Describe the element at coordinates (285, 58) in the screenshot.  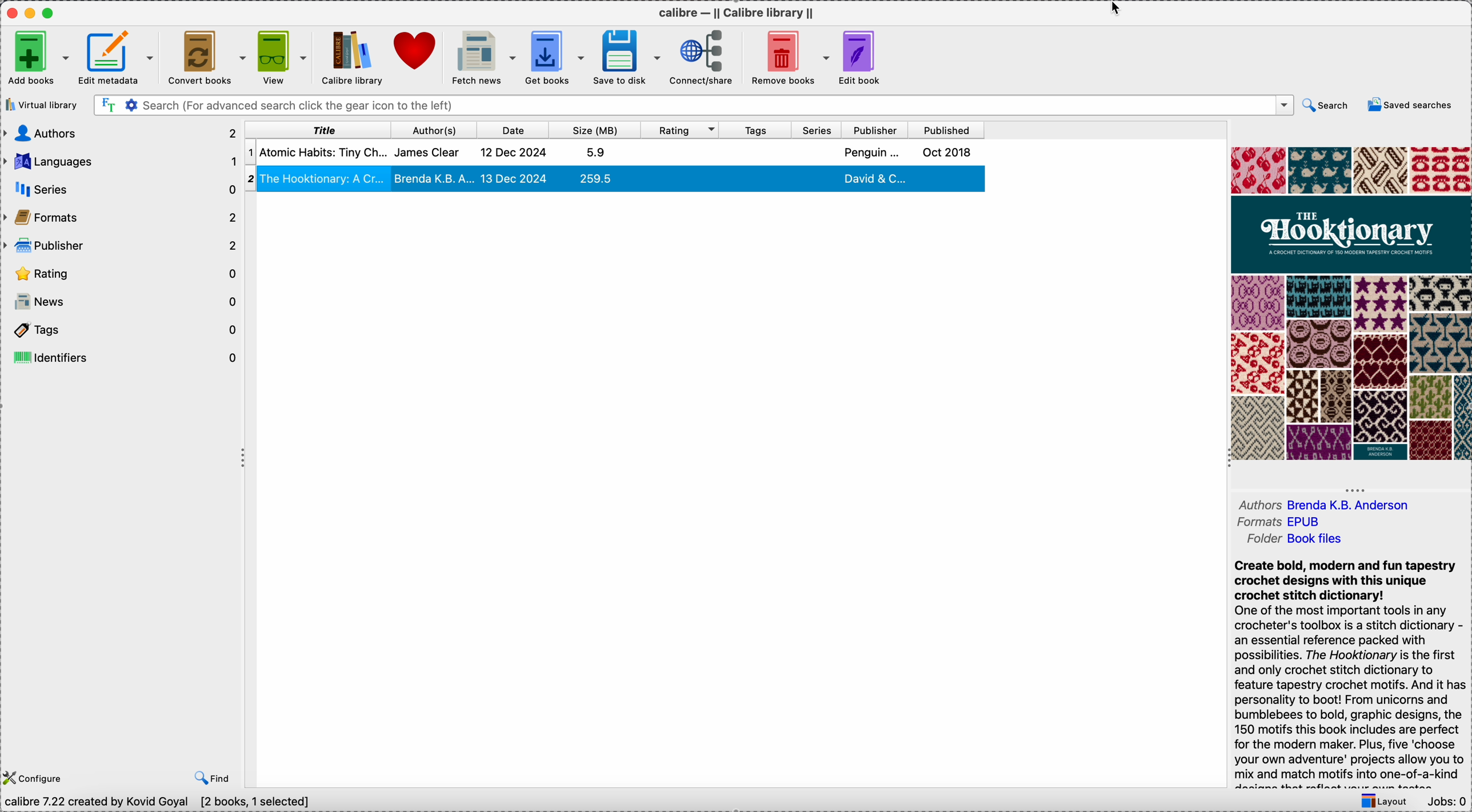
I see `view` at that location.